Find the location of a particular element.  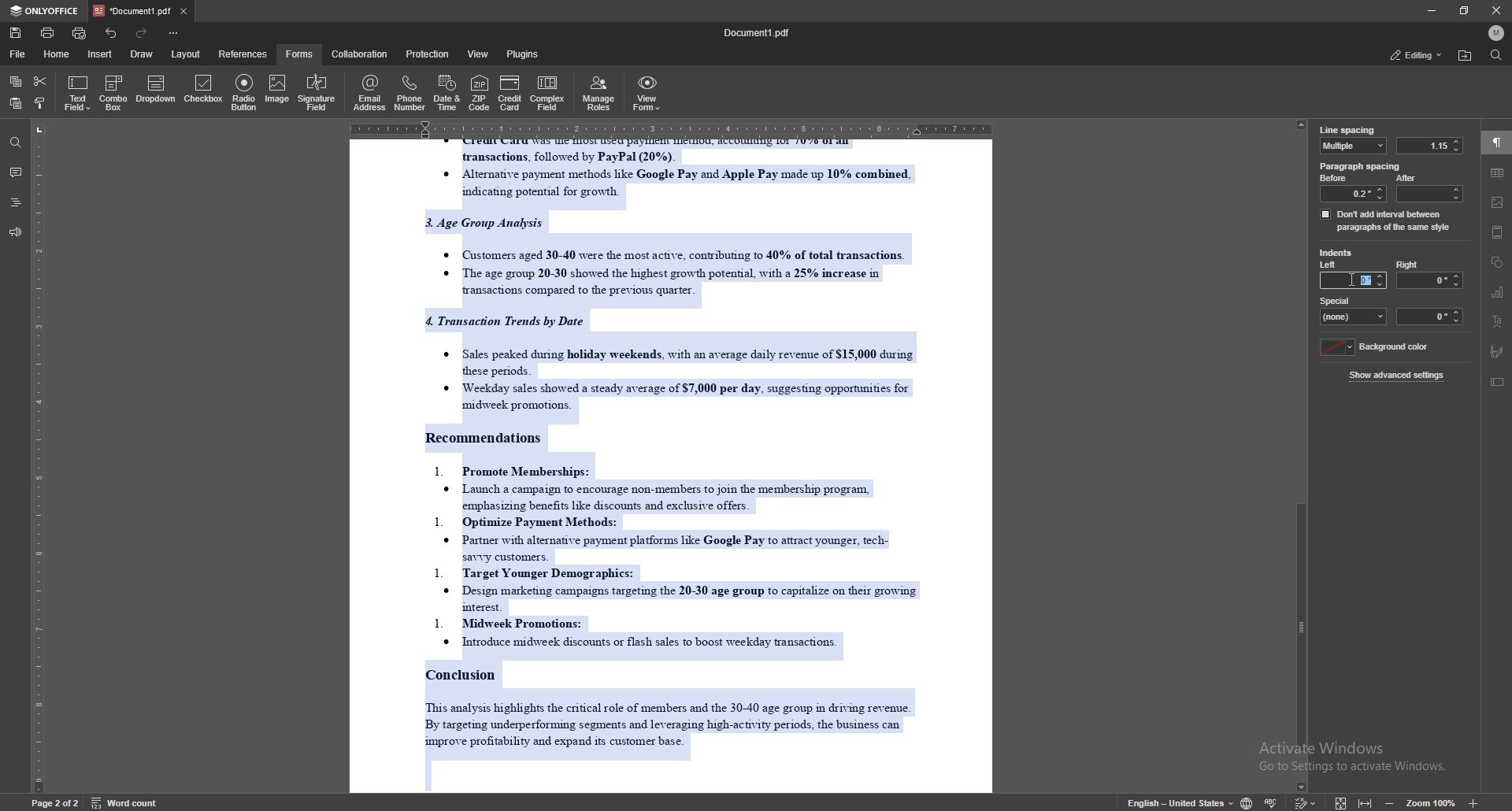

after is located at coordinates (1428, 187).